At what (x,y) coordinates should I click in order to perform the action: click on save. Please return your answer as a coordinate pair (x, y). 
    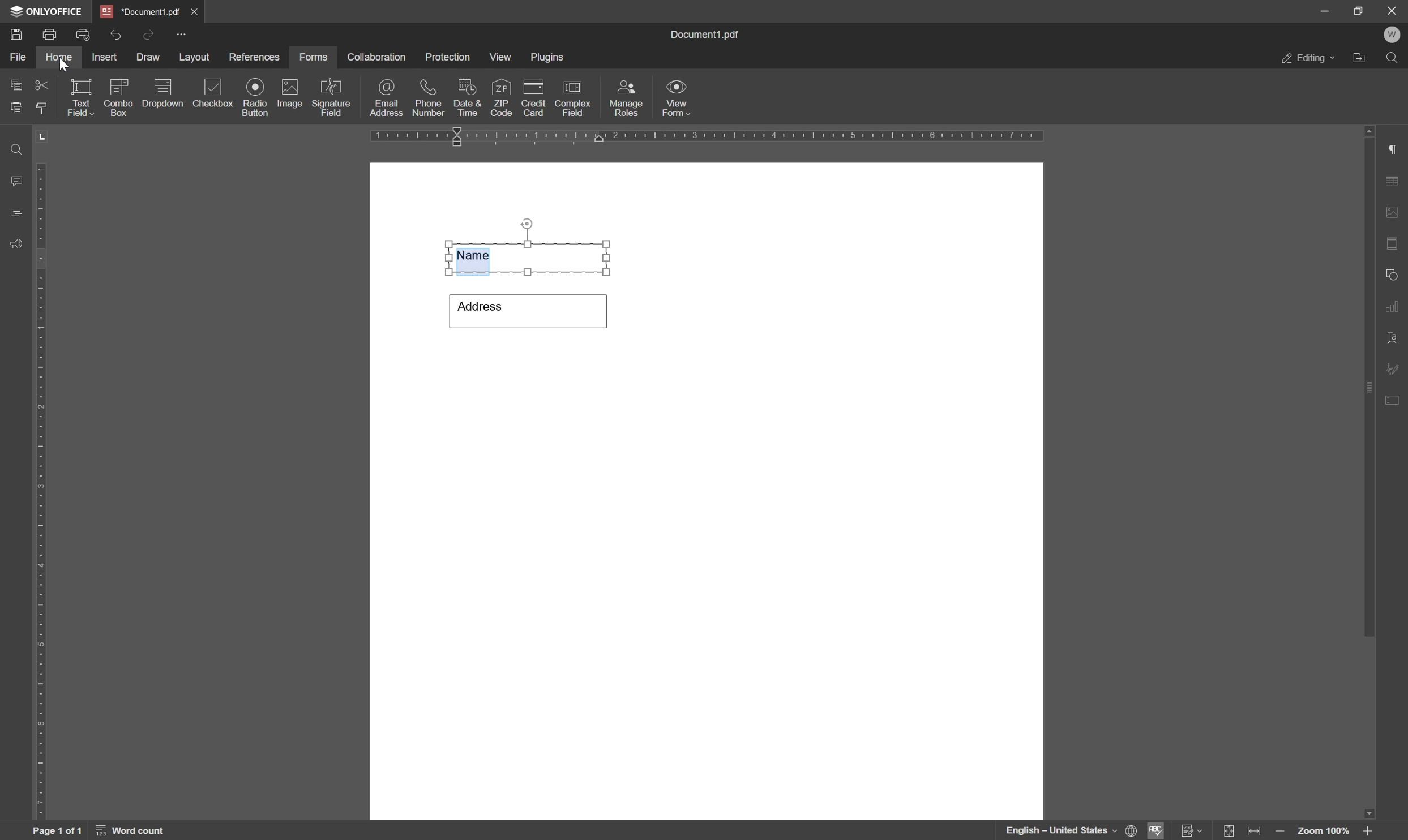
    Looking at the image, I should click on (15, 33).